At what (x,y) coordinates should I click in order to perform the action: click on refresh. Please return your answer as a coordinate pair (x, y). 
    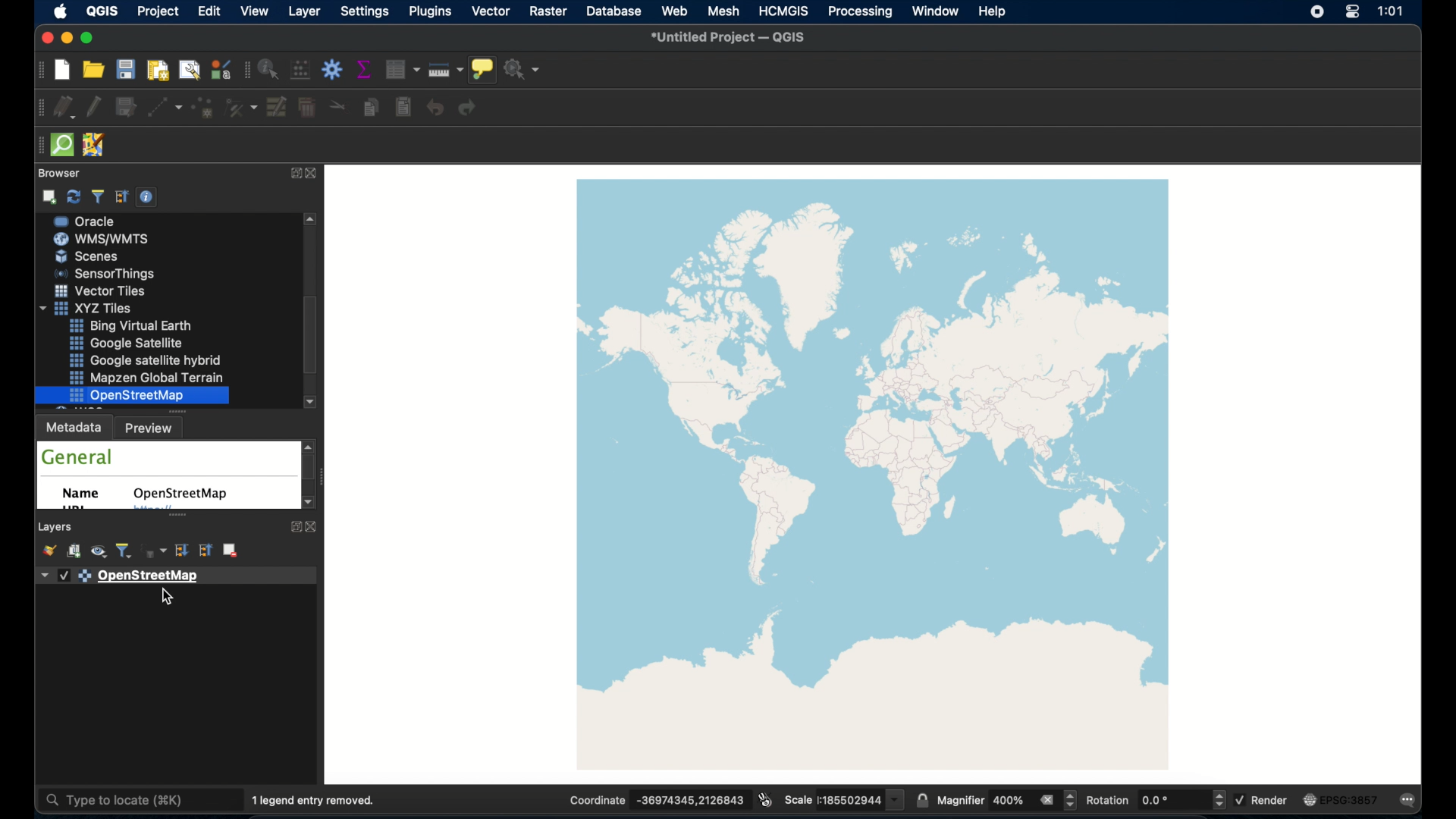
    Looking at the image, I should click on (75, 197).